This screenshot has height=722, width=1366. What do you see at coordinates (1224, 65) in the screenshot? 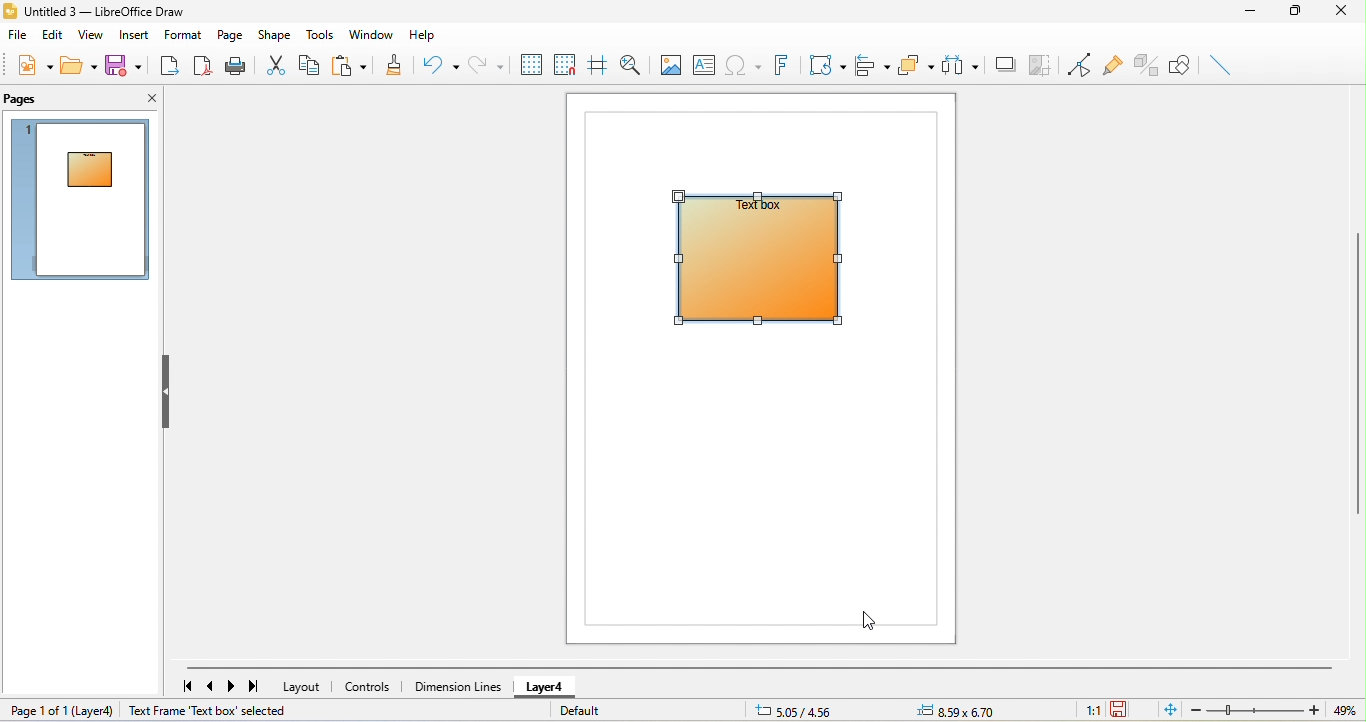
I see `insert line` at bounding box center [1224, 65].